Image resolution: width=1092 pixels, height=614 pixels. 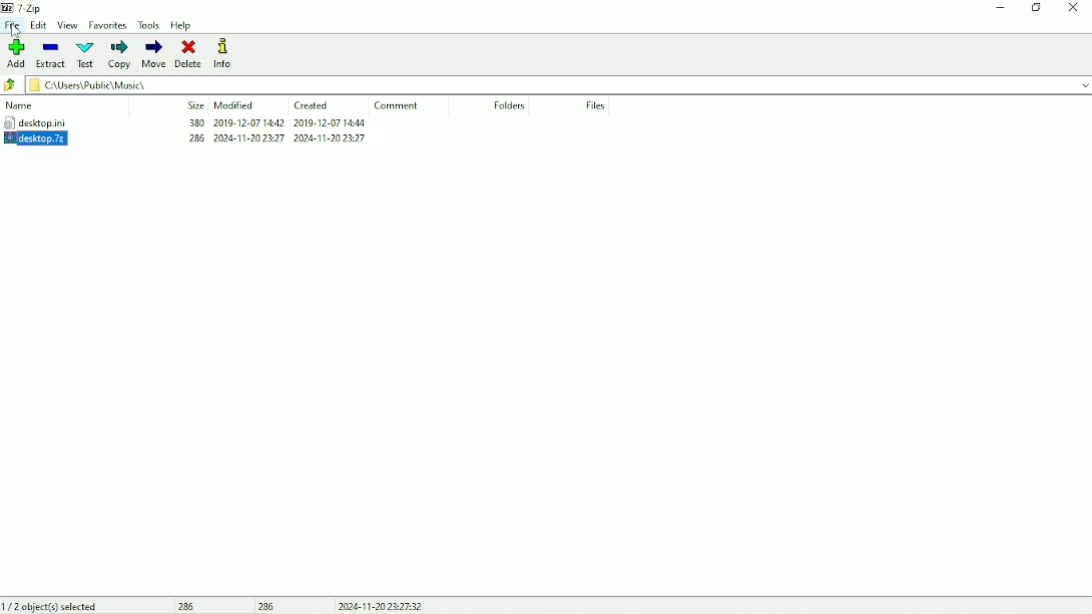 What do you see at coordinates (226, 53) in the screenshot?
I see `Info` at bounding box center [226, 53].